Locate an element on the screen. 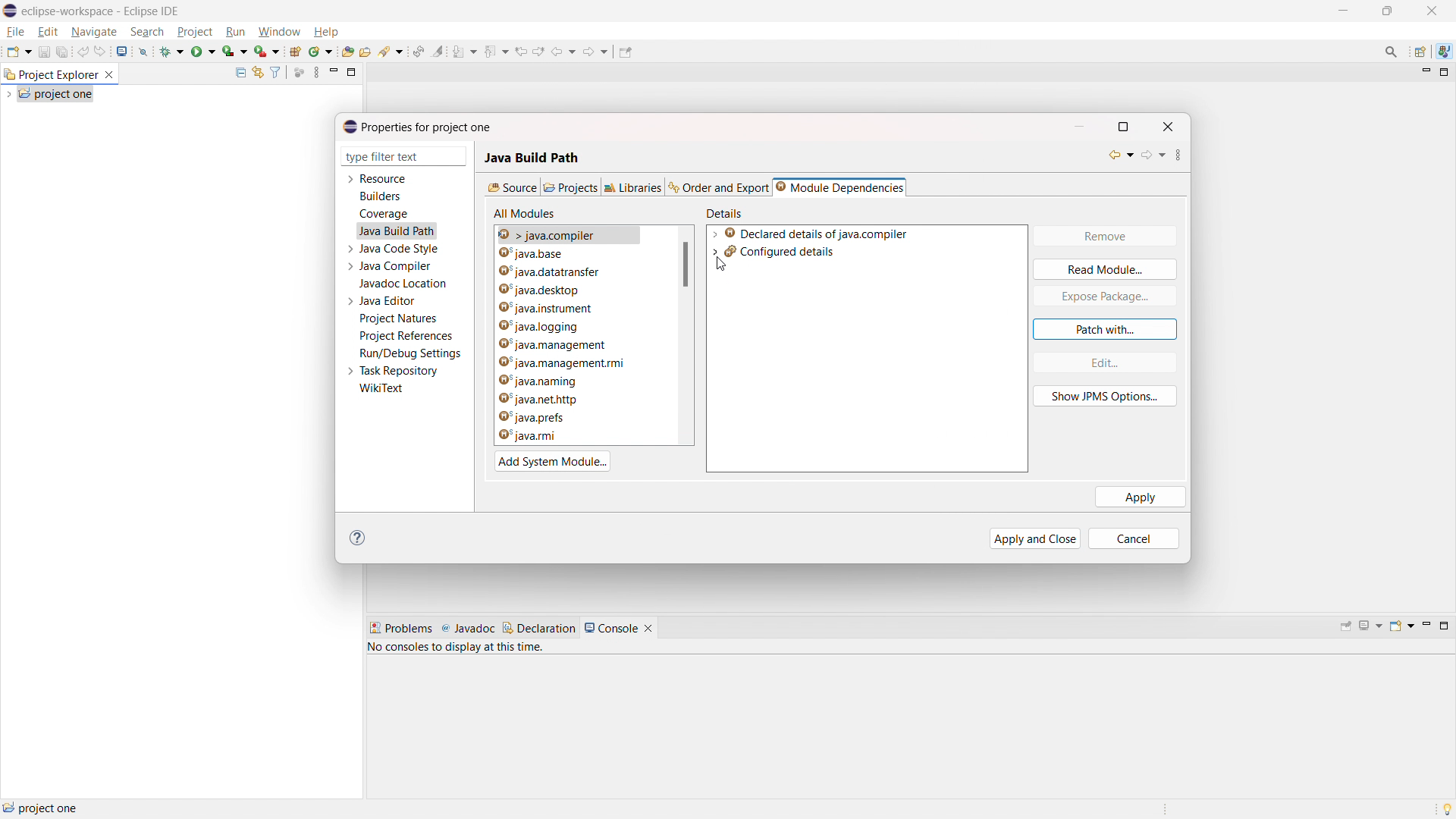 This screenshot has height=819, width=1456. expand resource is located at coordinates (350, 180).